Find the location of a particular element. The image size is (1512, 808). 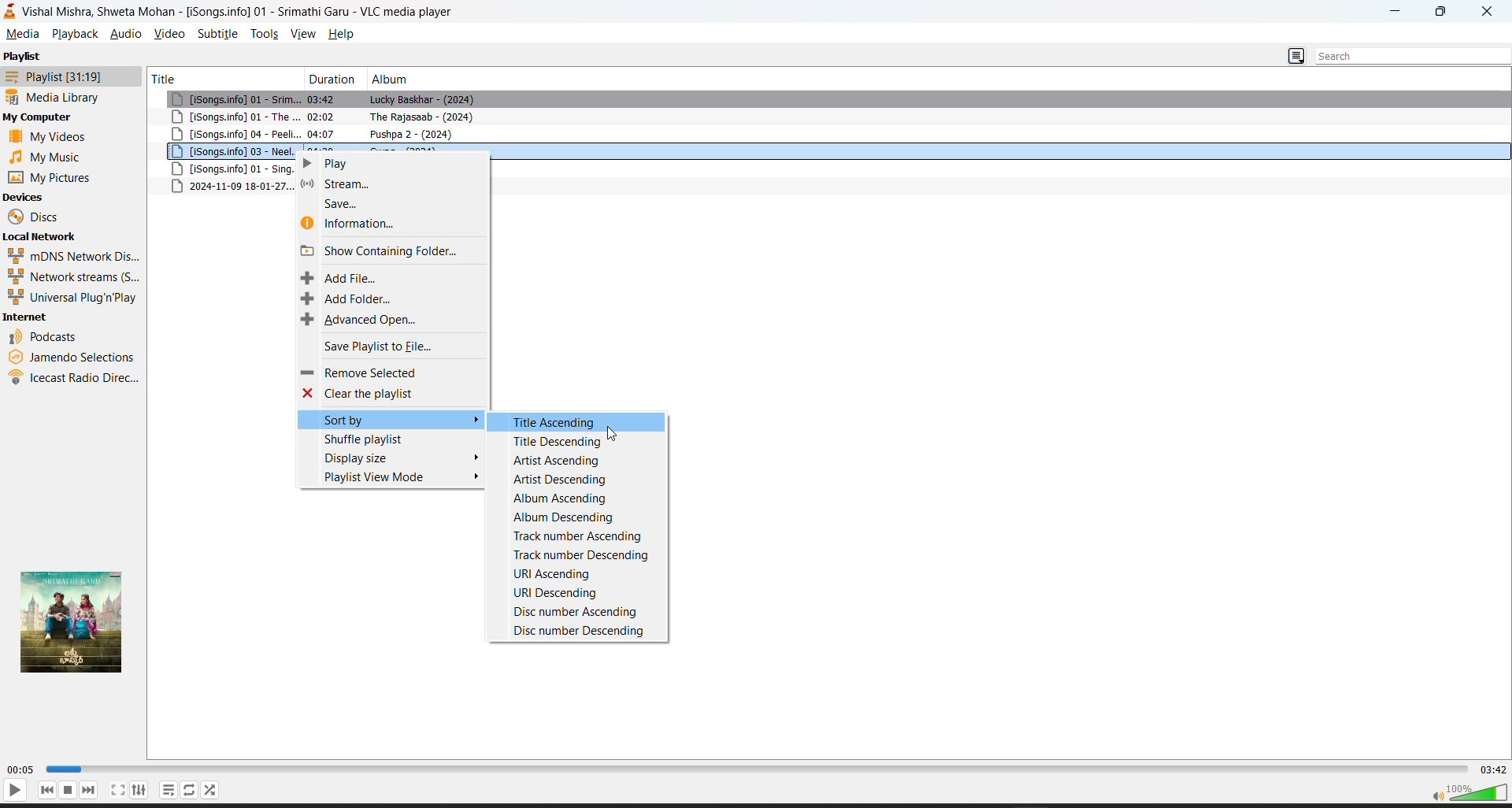

song is located at coordinates (828, 117).